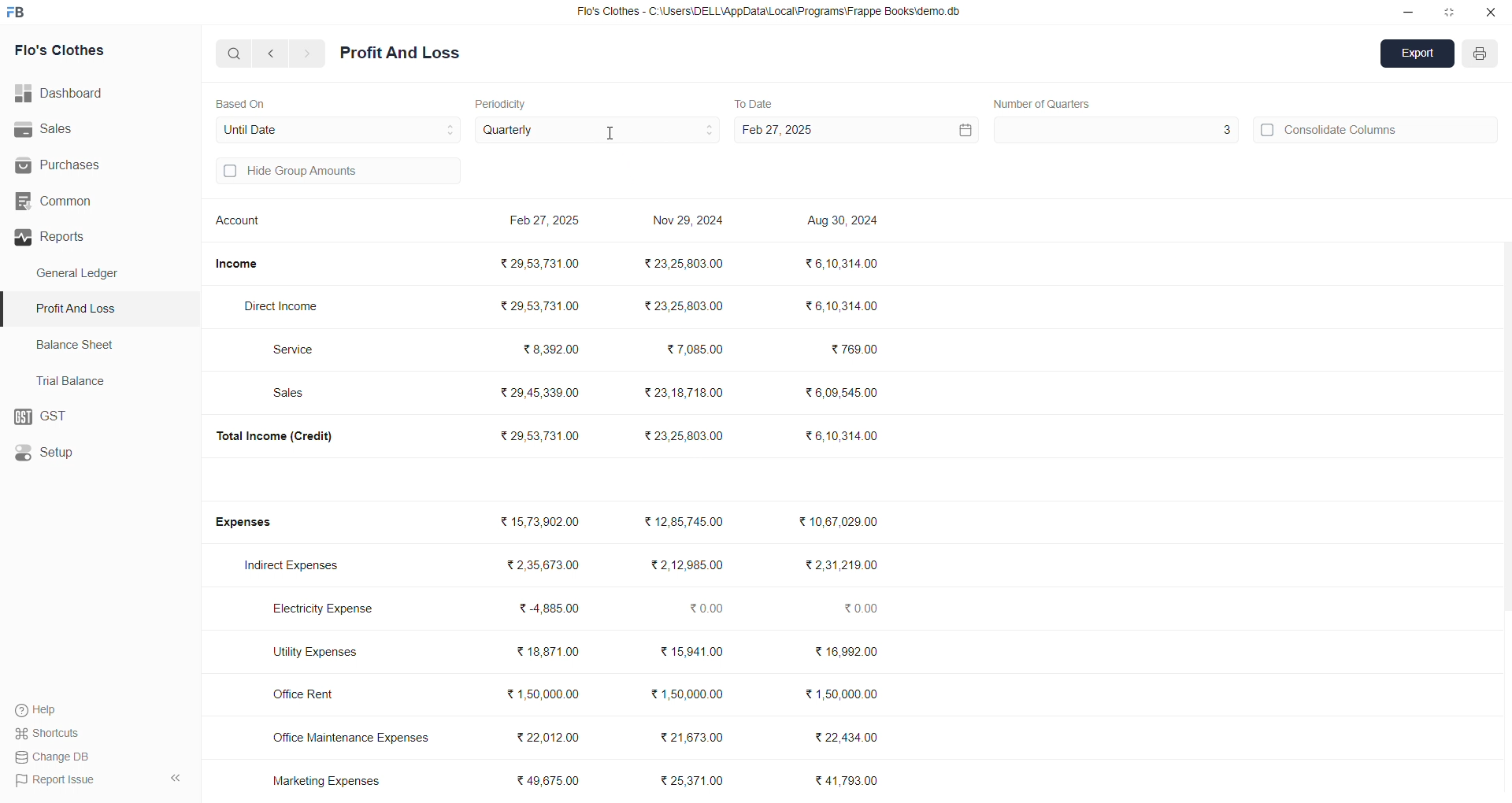 The width and height of the screenshot is (1512, 803). I want to click on Expenses, so click(254, 523).